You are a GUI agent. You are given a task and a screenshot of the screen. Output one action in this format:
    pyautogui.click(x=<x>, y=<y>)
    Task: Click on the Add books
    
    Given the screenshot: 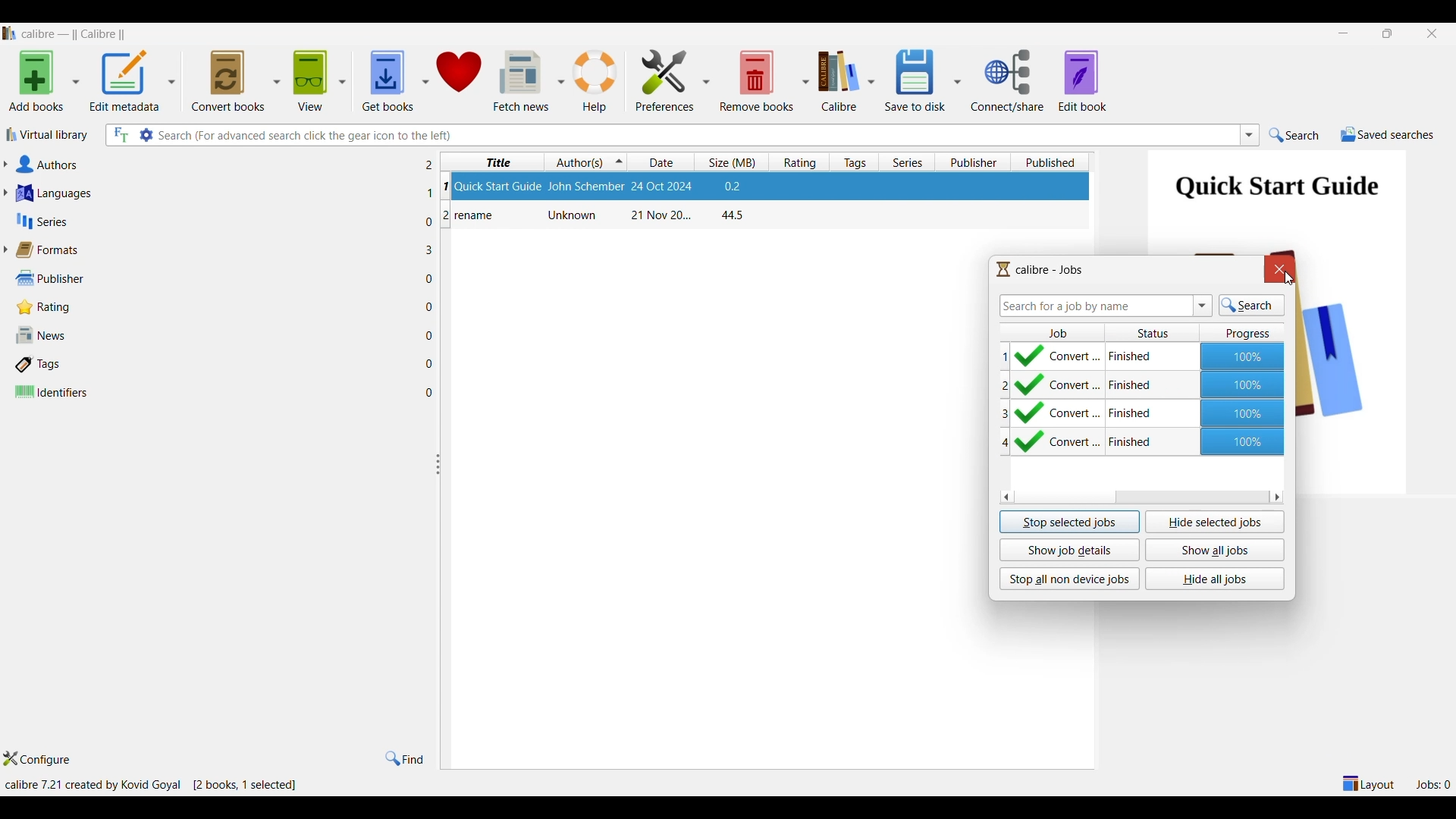 What is the action you would take?
    pyautogui.click(x=36, y=81)
    